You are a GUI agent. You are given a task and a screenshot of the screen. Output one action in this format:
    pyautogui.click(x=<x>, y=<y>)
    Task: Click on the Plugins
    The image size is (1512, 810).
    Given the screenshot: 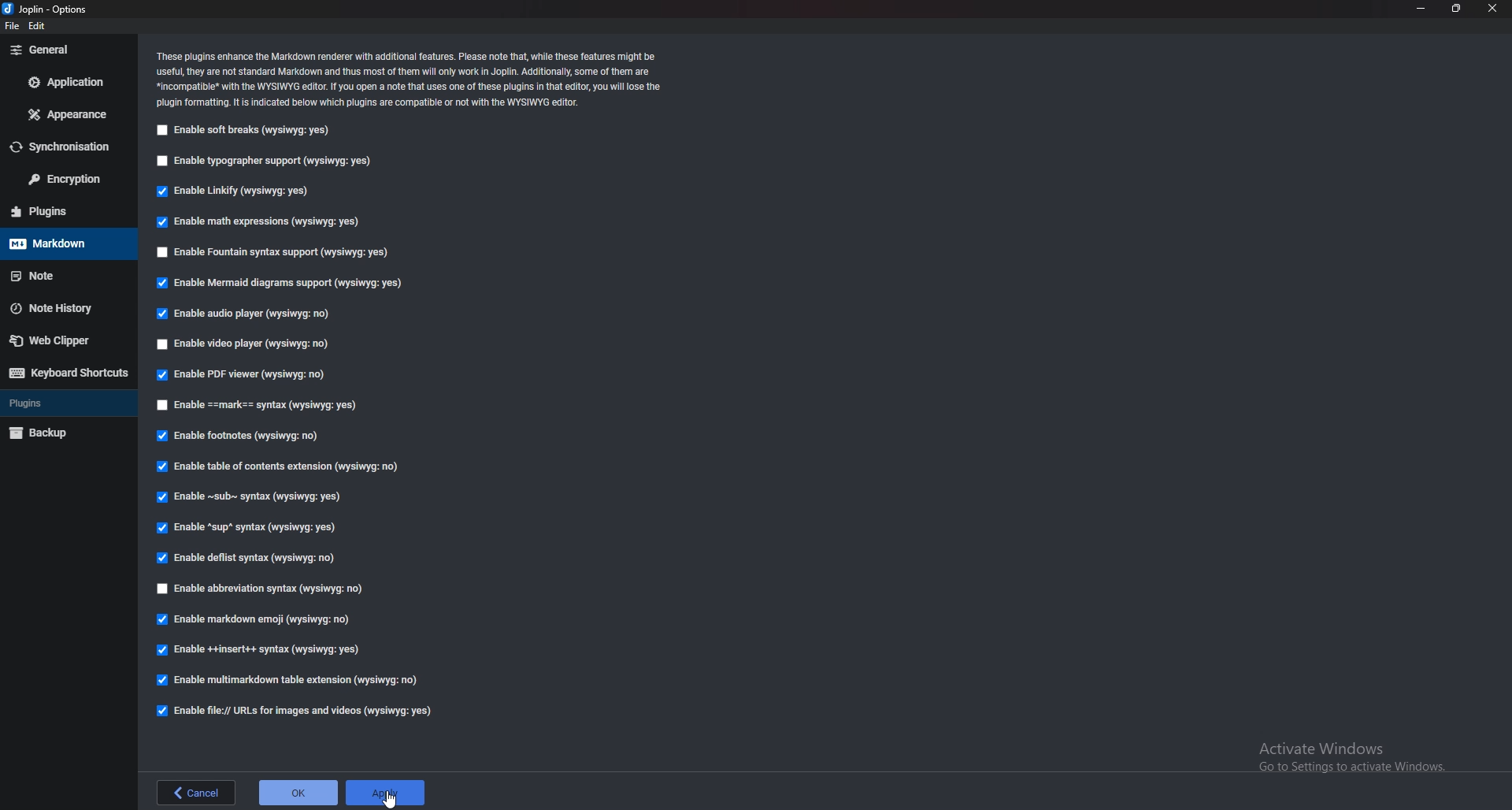 What is the action you would take?
    pyautogui.click(x=57, y=403)
    